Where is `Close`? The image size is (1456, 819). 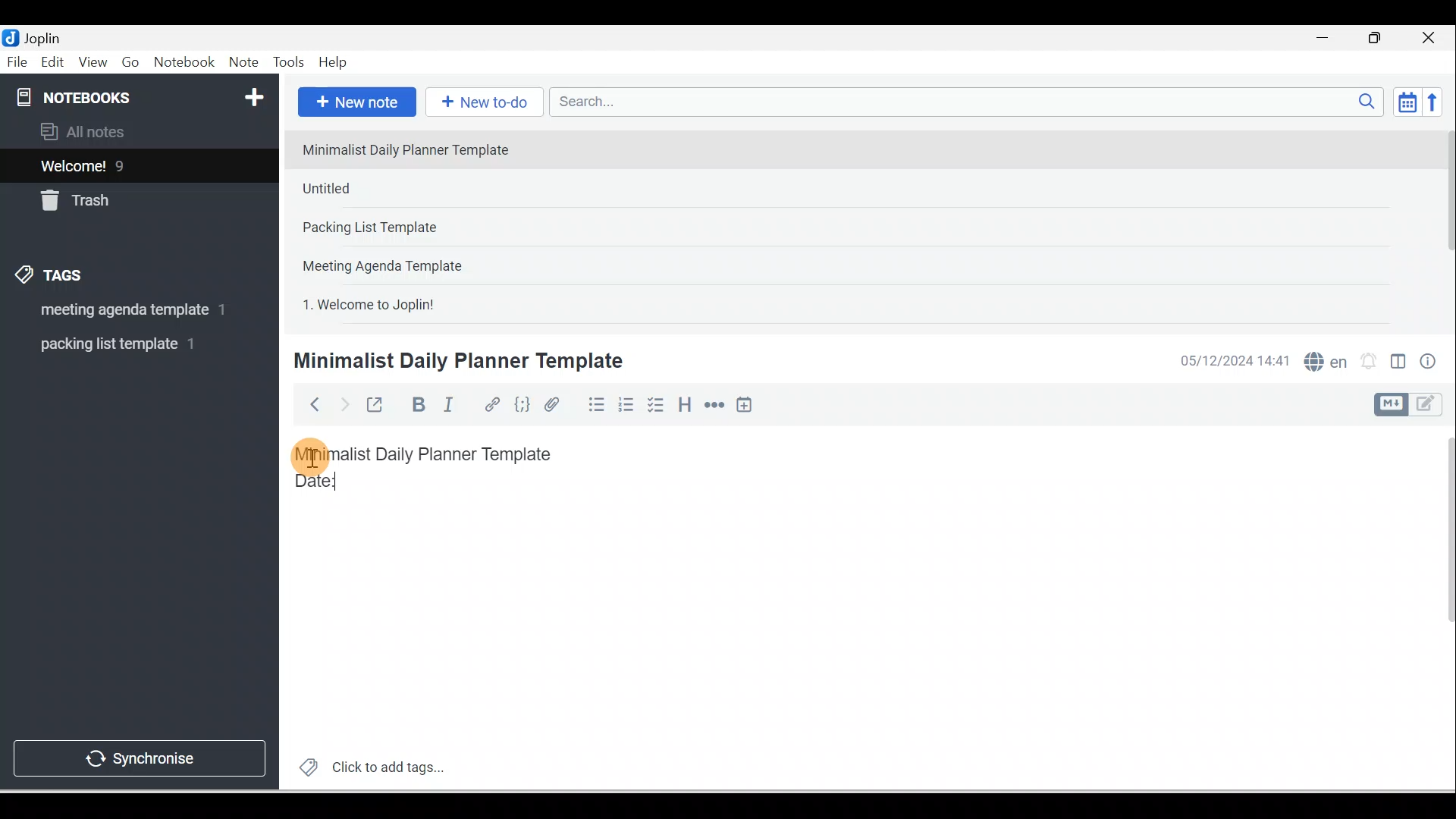
Close is located at coordinates (1432, 38).